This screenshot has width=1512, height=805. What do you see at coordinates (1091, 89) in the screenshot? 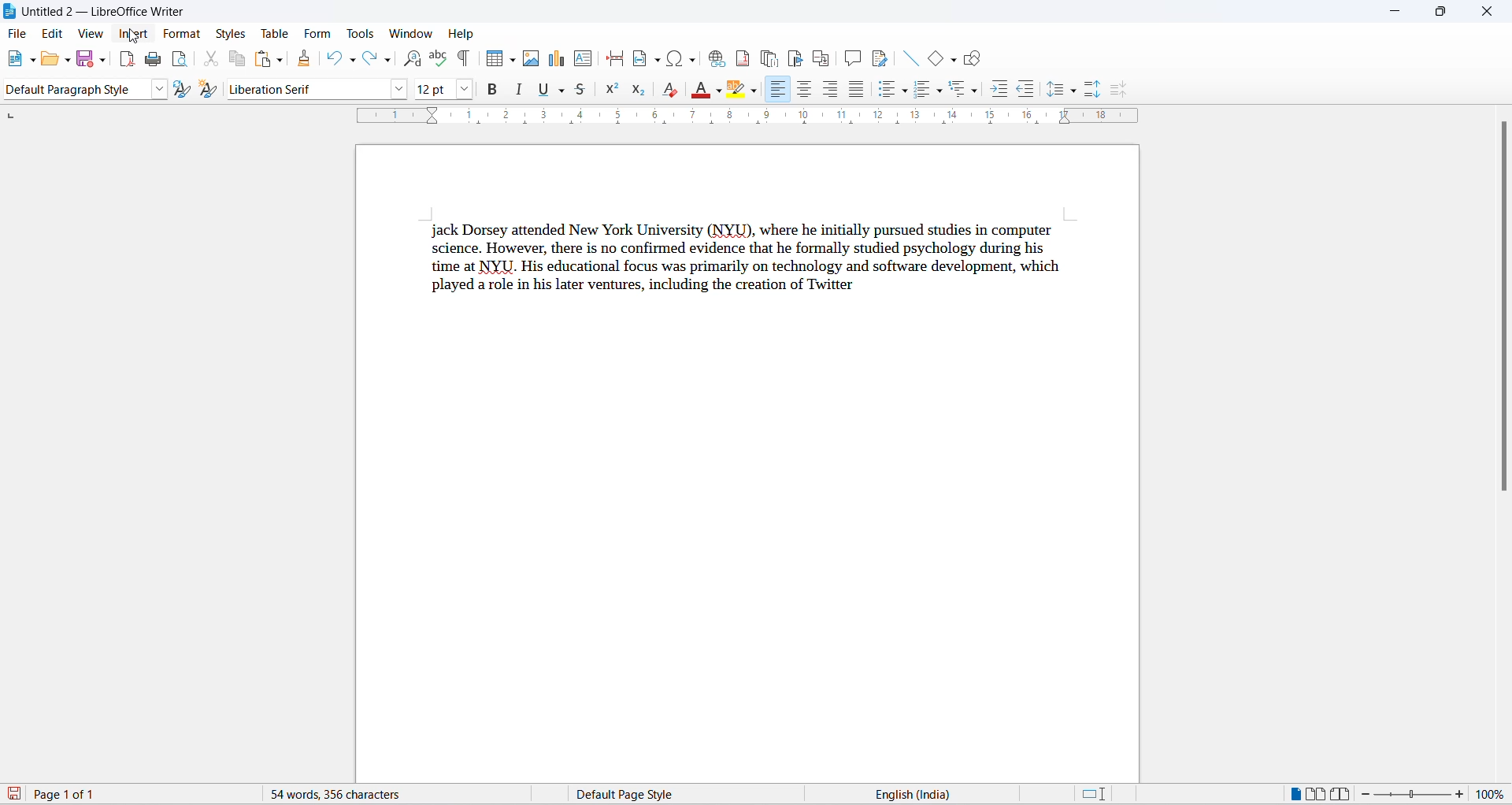
I see `increase paragraph spacing` at bounding box center [1091, 89].